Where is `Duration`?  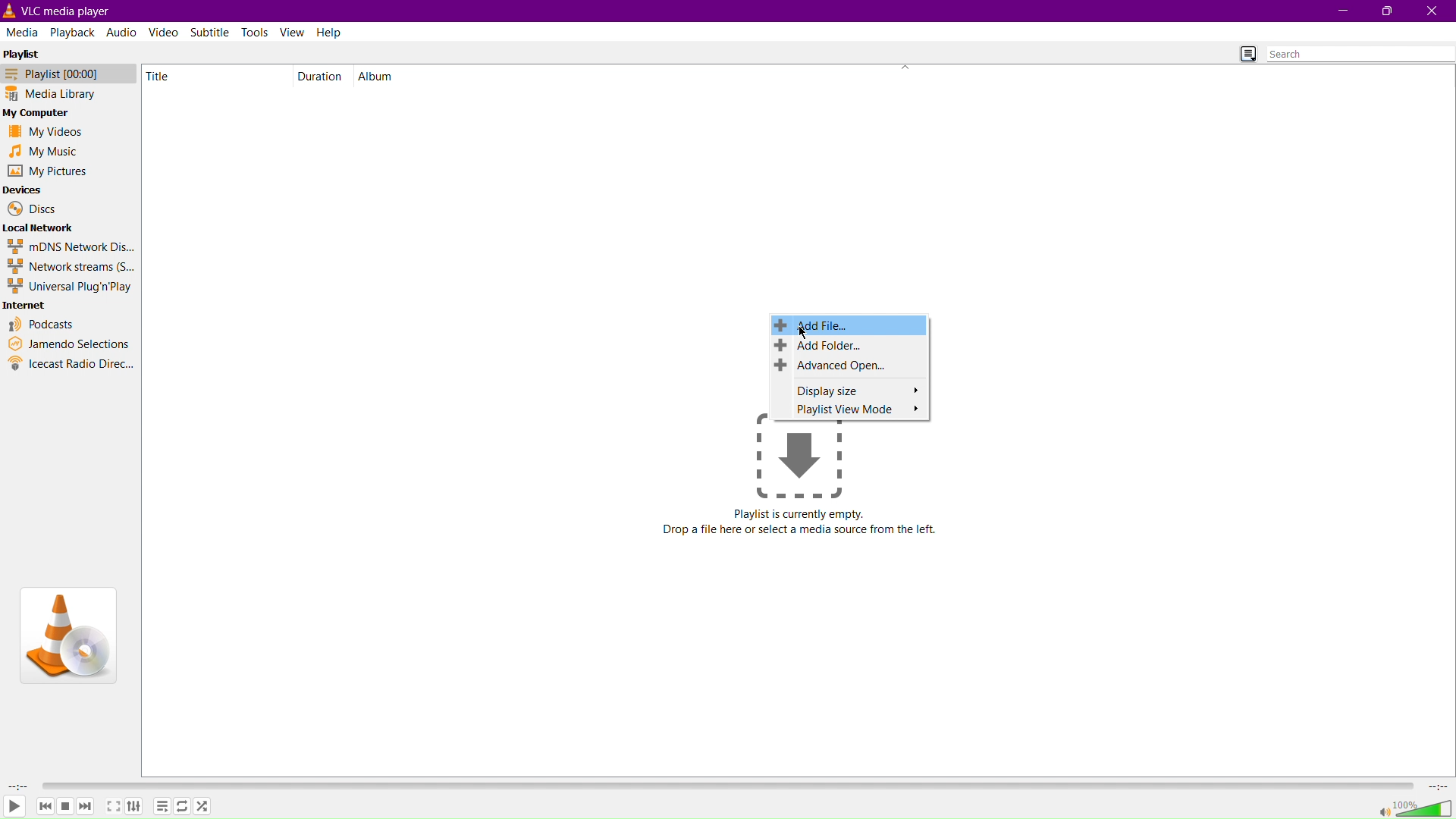 Duration is located at coordinates (321, 76).